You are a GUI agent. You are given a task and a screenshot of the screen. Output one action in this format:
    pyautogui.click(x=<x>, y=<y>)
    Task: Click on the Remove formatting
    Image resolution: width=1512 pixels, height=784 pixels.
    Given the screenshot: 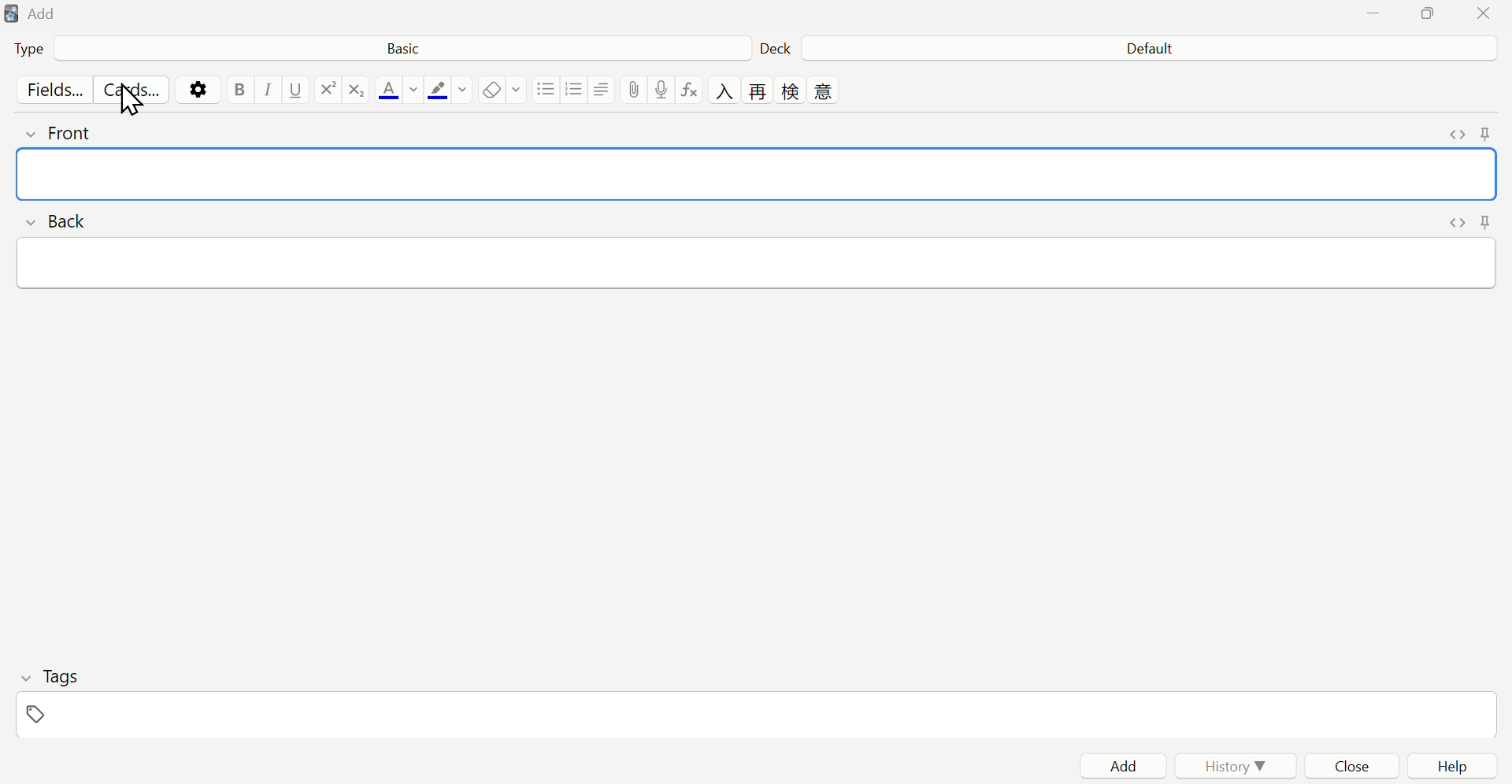 What is the action you would take?
    pyautogui.click(x=491, y=90)
    